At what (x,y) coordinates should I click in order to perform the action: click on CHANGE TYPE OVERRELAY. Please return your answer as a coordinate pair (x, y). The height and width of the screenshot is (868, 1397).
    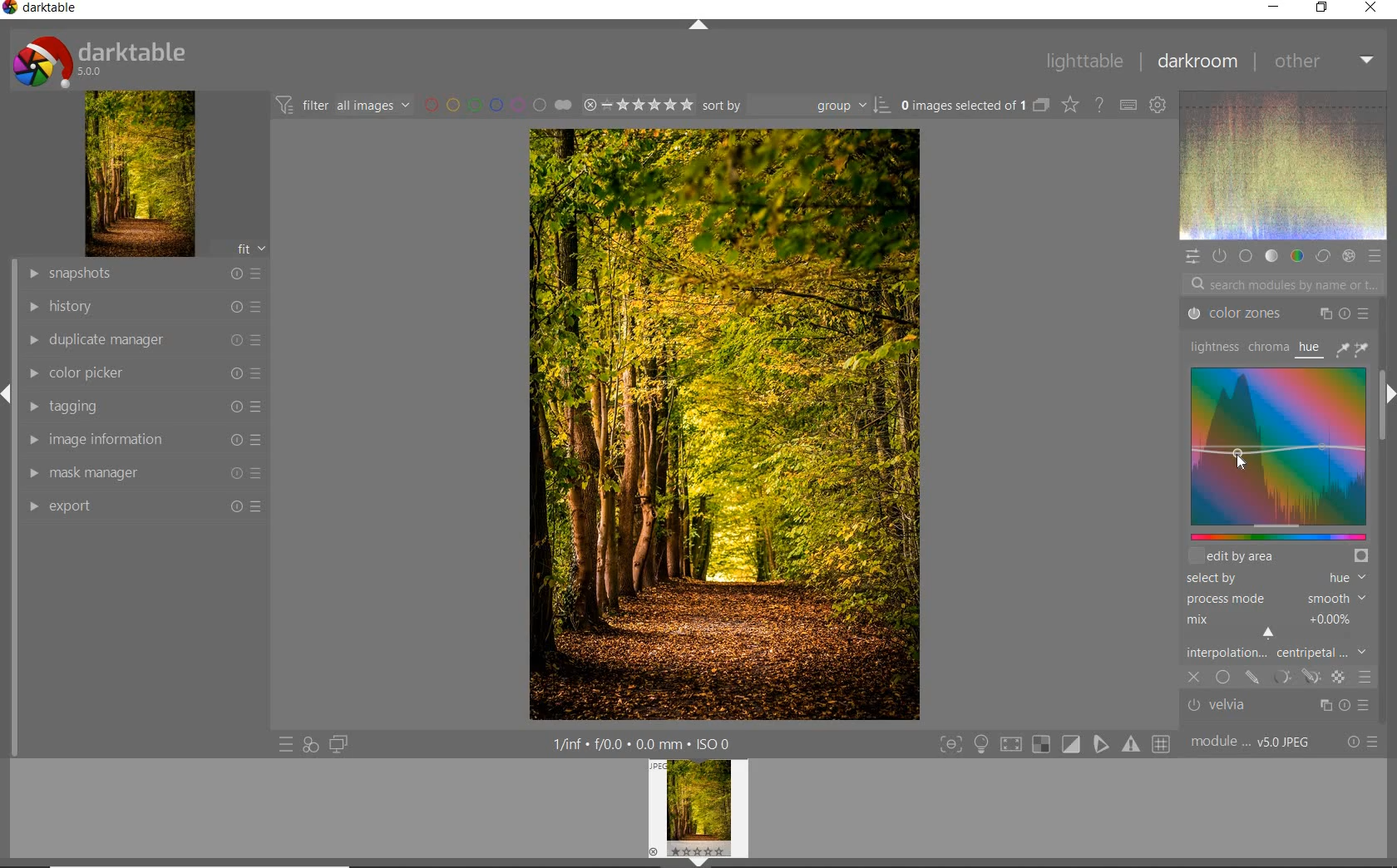
    Looking at the image, I should click on (1071, 105).